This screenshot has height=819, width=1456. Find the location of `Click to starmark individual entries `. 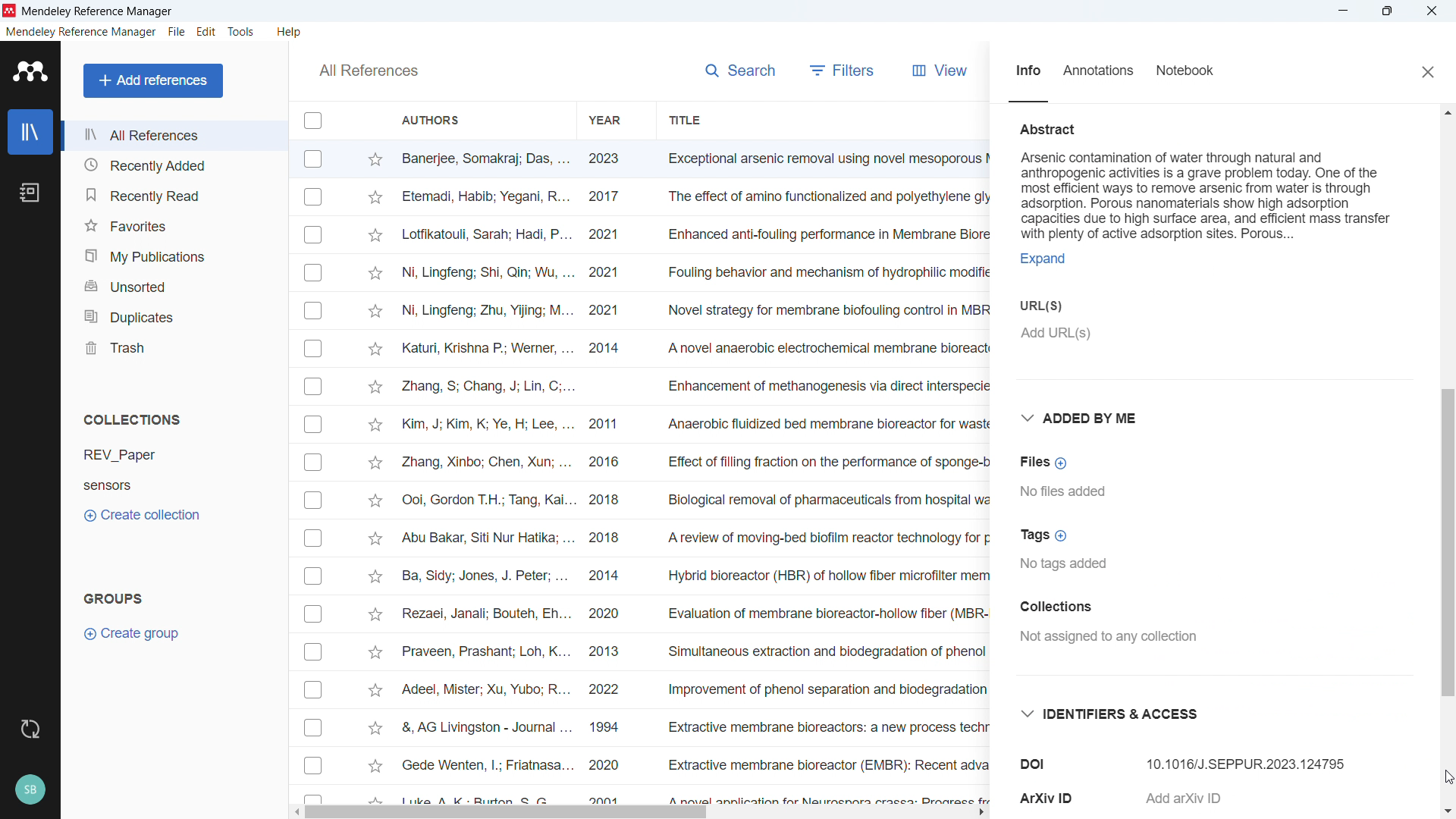

Click to starmark individual entries  is located at coordinates (374, 158).